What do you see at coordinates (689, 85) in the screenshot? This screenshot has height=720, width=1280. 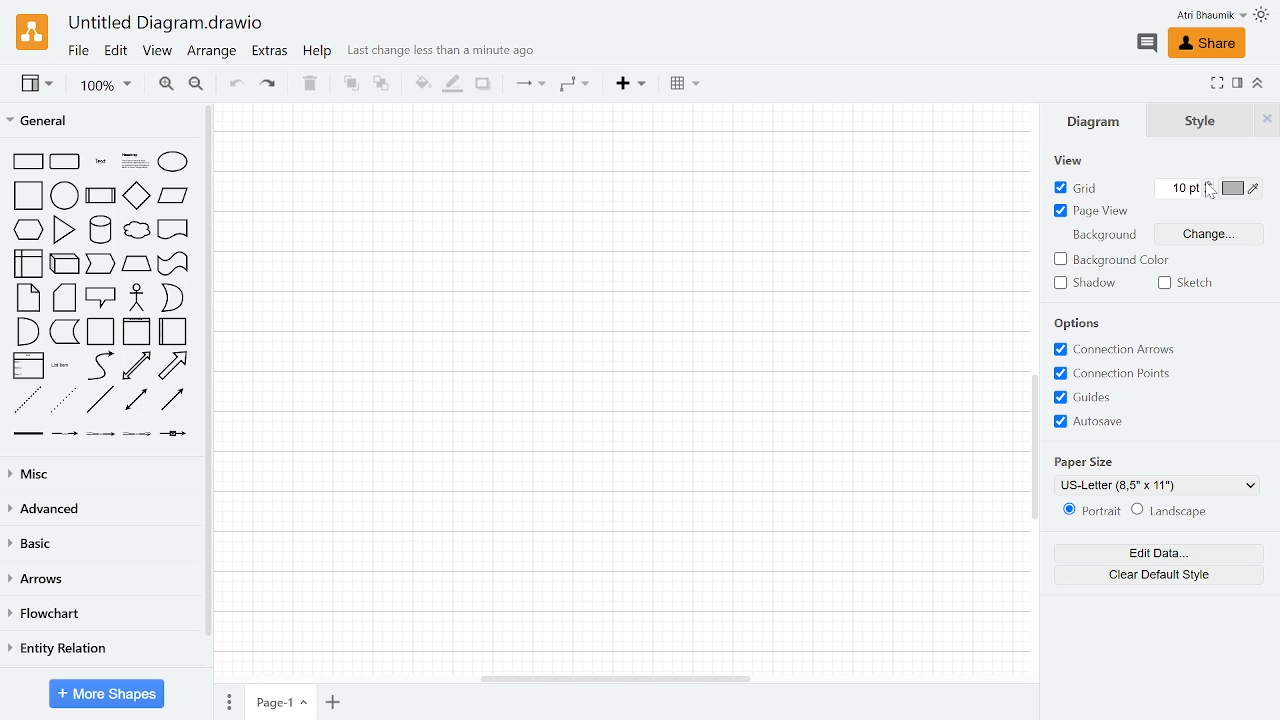 I see `table` at bounding box center [689, 85].